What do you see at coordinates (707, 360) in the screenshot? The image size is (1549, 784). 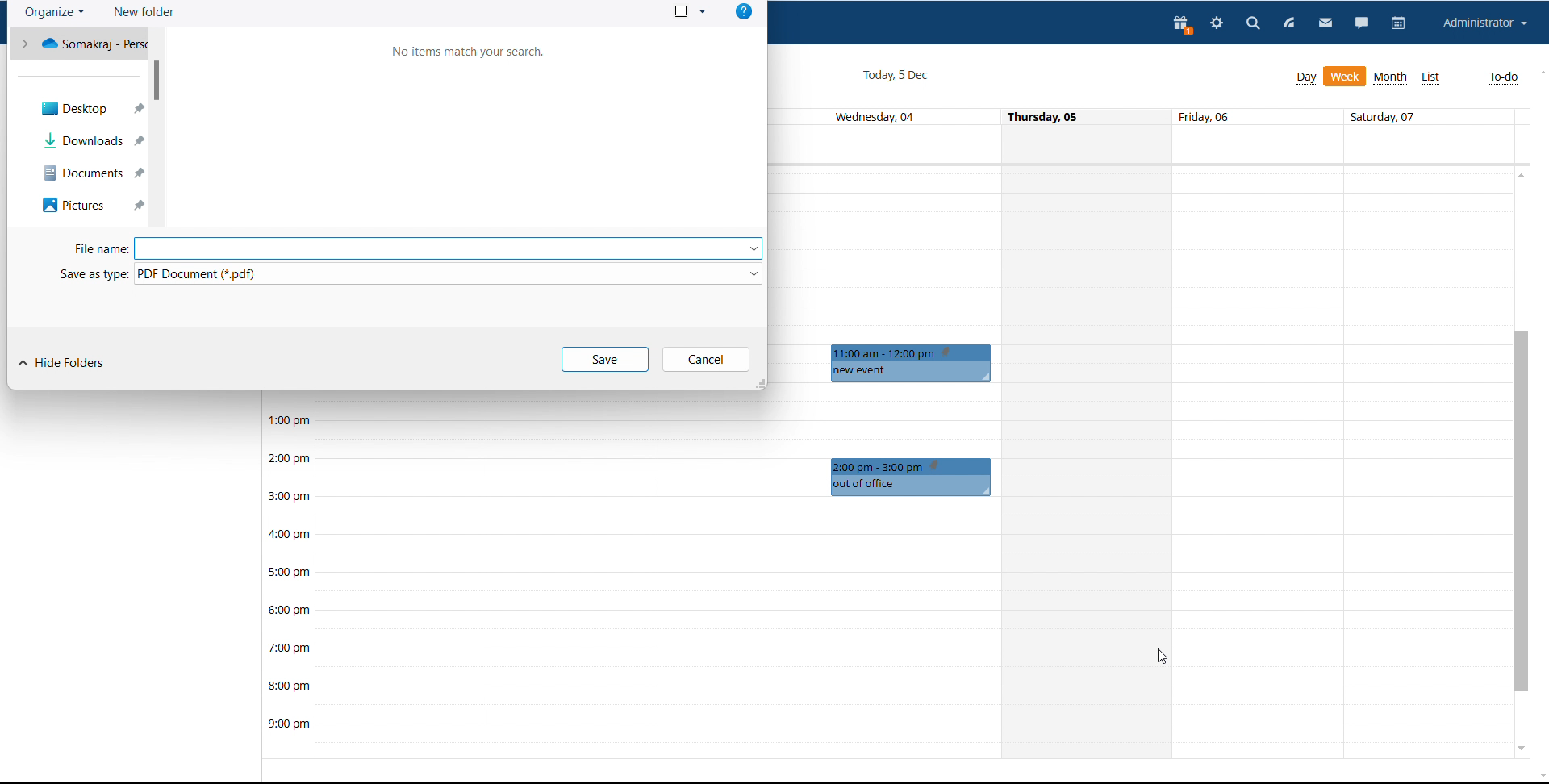 I see `cancel` at bounding box center [707, 360].